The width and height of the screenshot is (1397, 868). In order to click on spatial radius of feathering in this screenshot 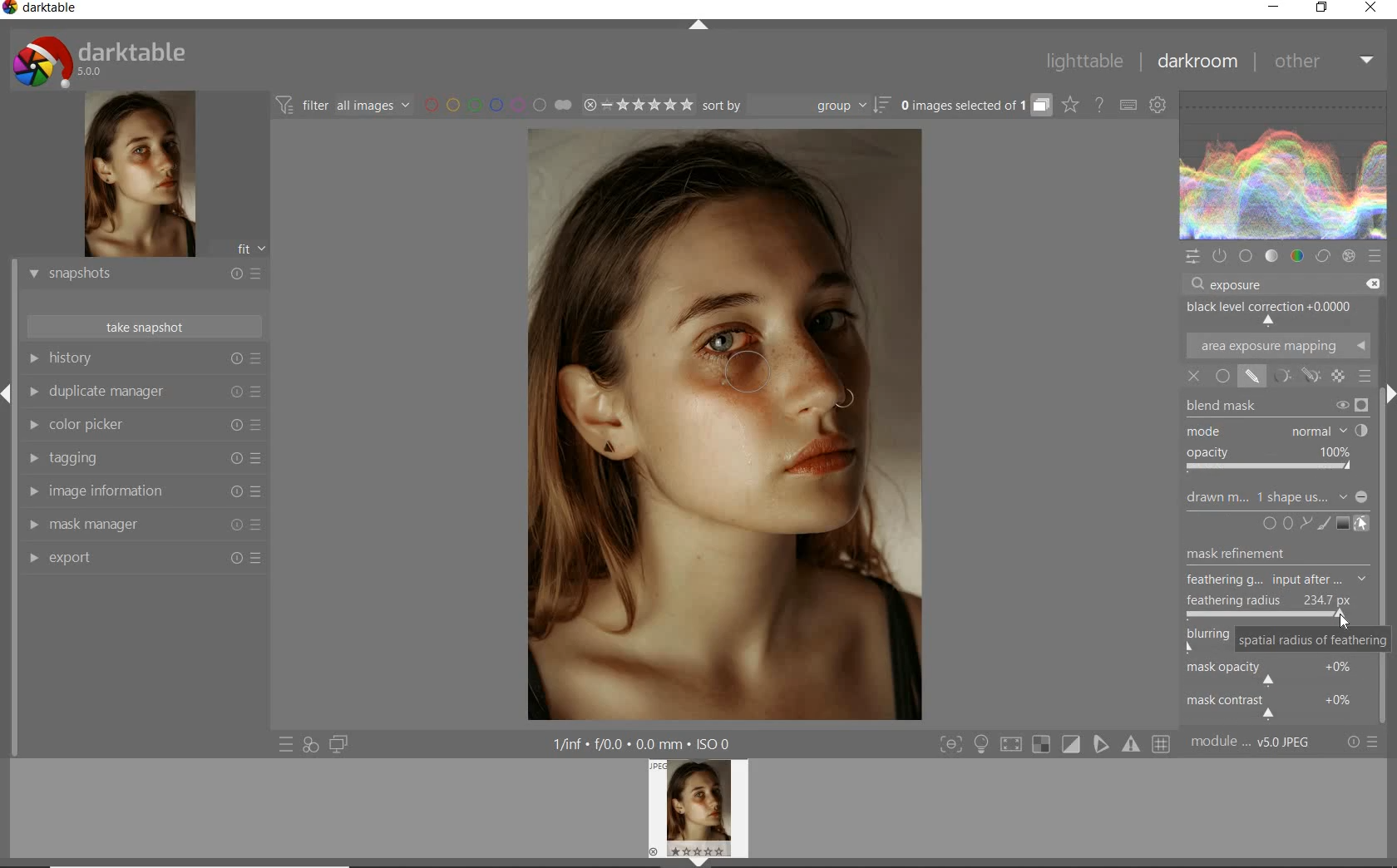, I will do `click(1314, 639)`.